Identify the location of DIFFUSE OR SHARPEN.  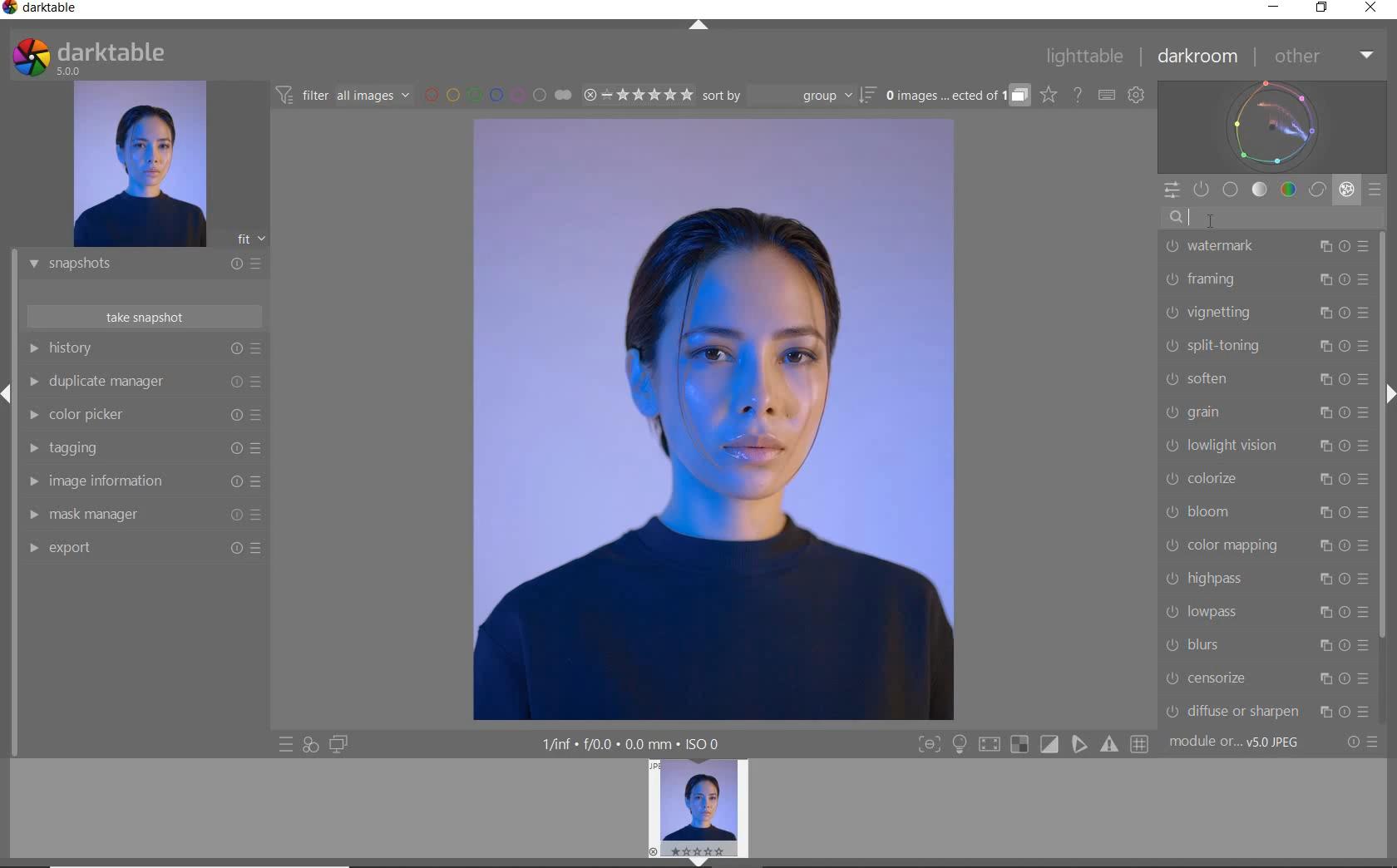
(1267, 711).